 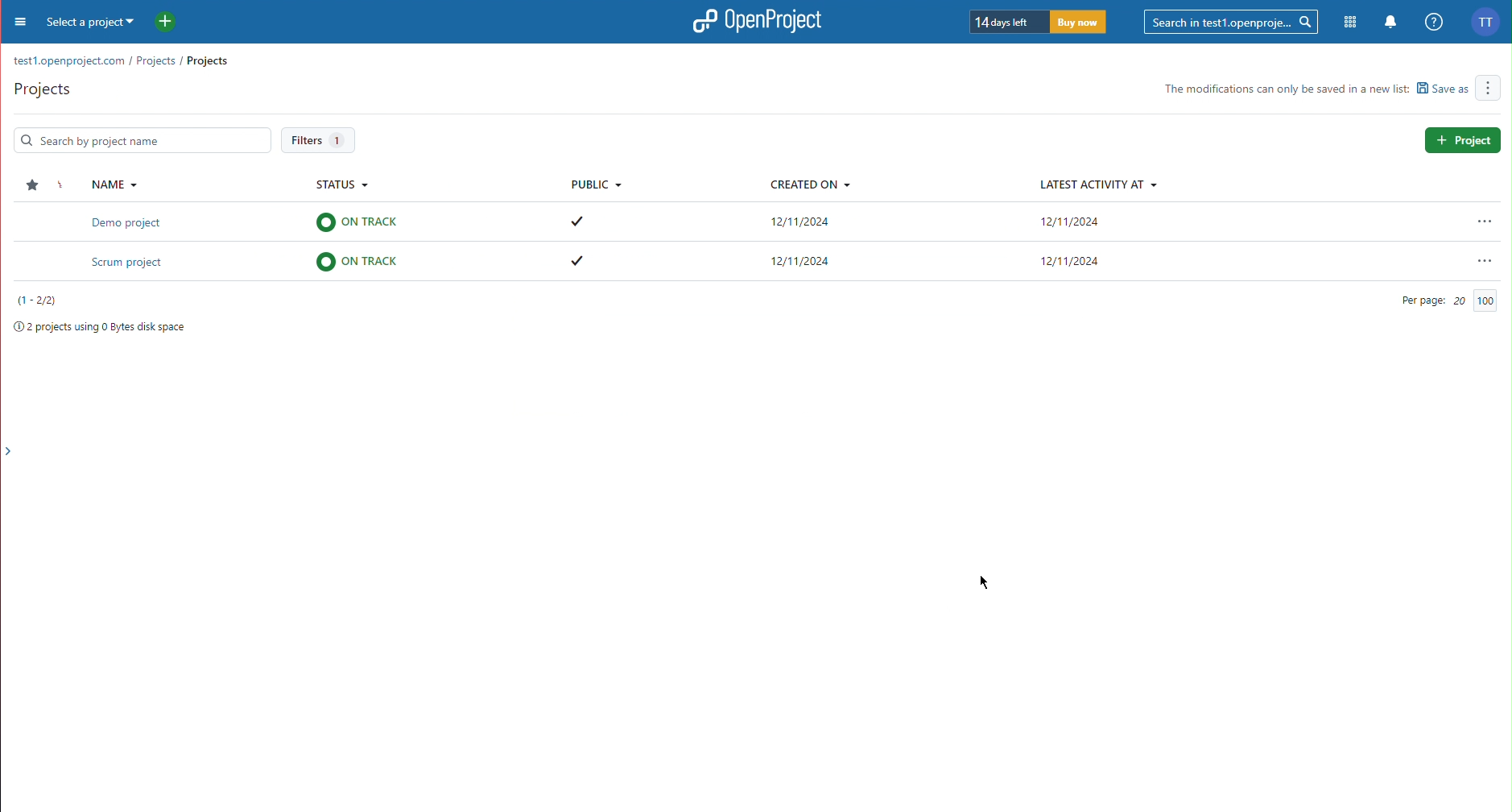 I want to click on Project, so click(x=1464, y=142).